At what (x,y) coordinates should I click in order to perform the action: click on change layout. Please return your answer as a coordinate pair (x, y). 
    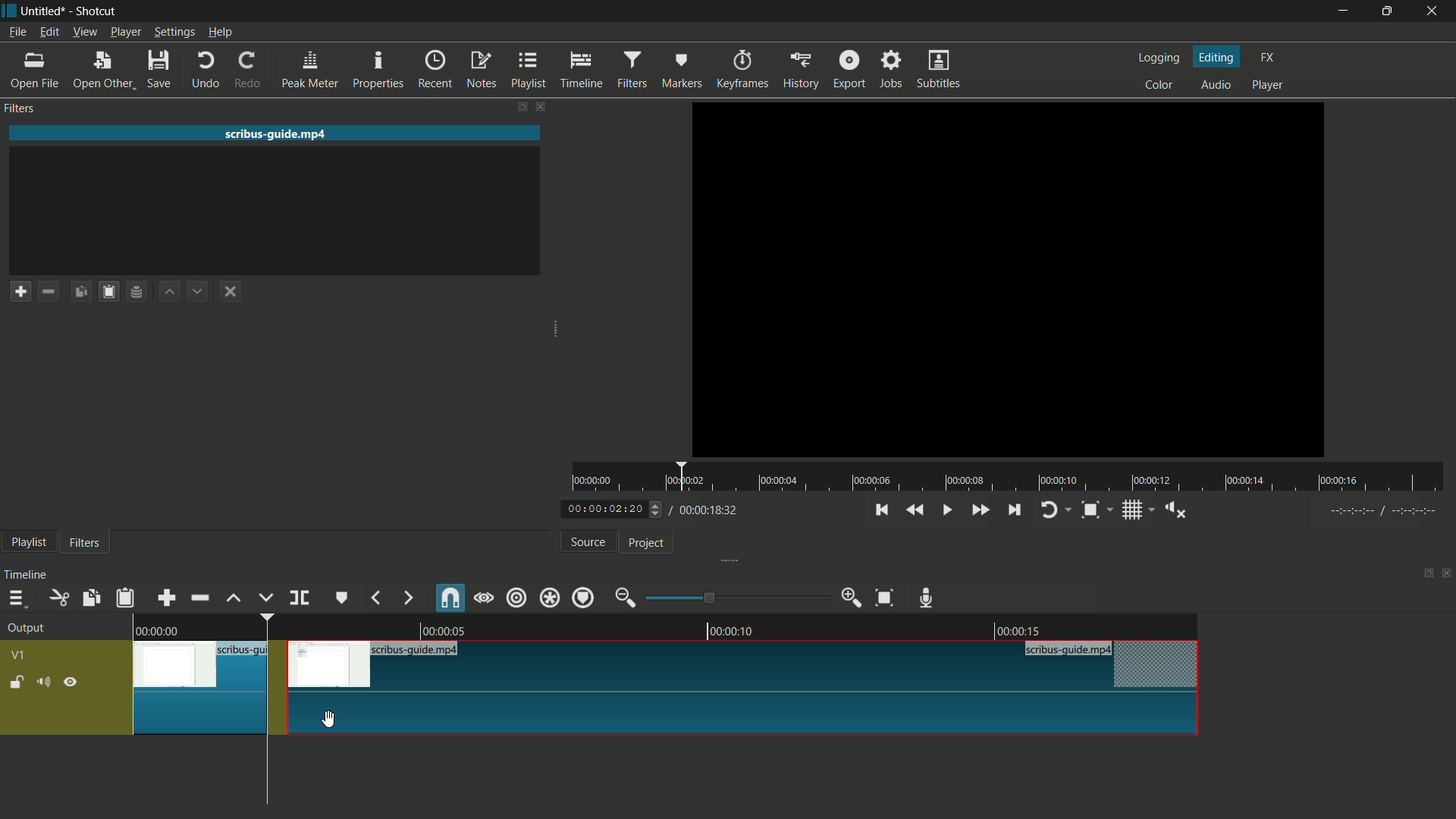
    Looking at the image, I should click on (519, 105).